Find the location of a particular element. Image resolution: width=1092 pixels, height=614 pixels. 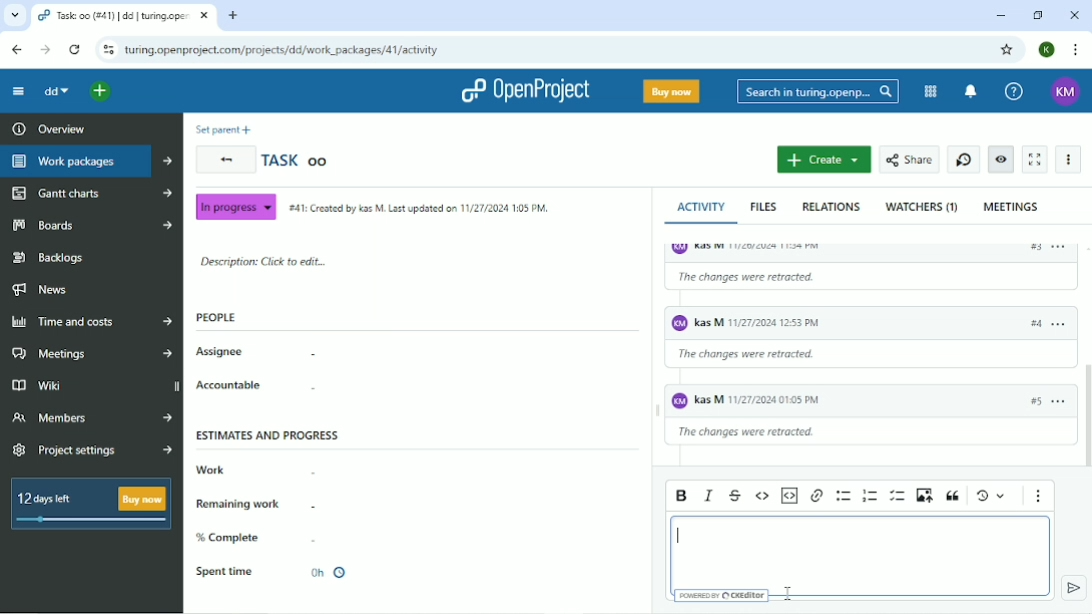

options is located at coordinates (1062, 247).